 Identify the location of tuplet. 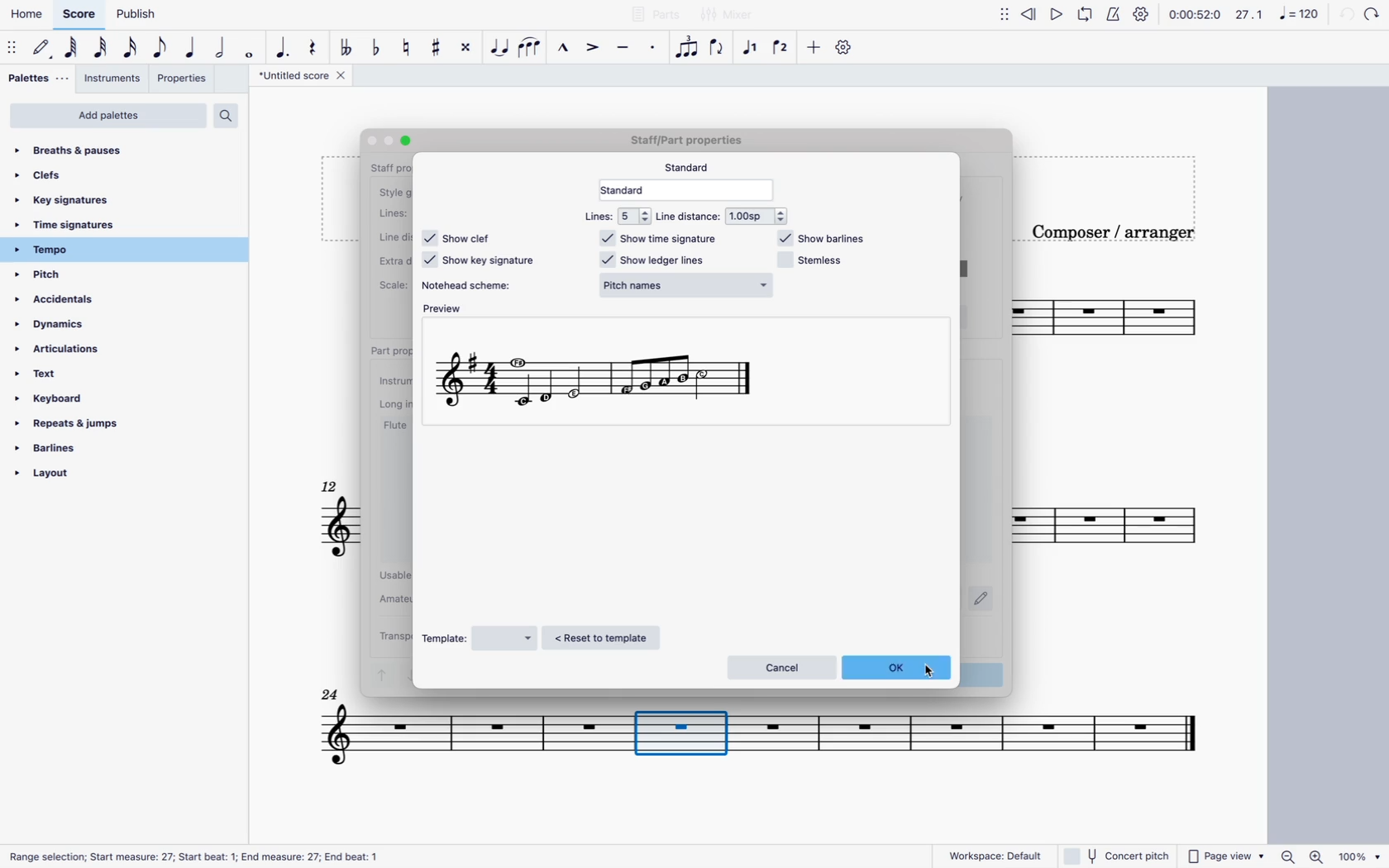
(687, 47).